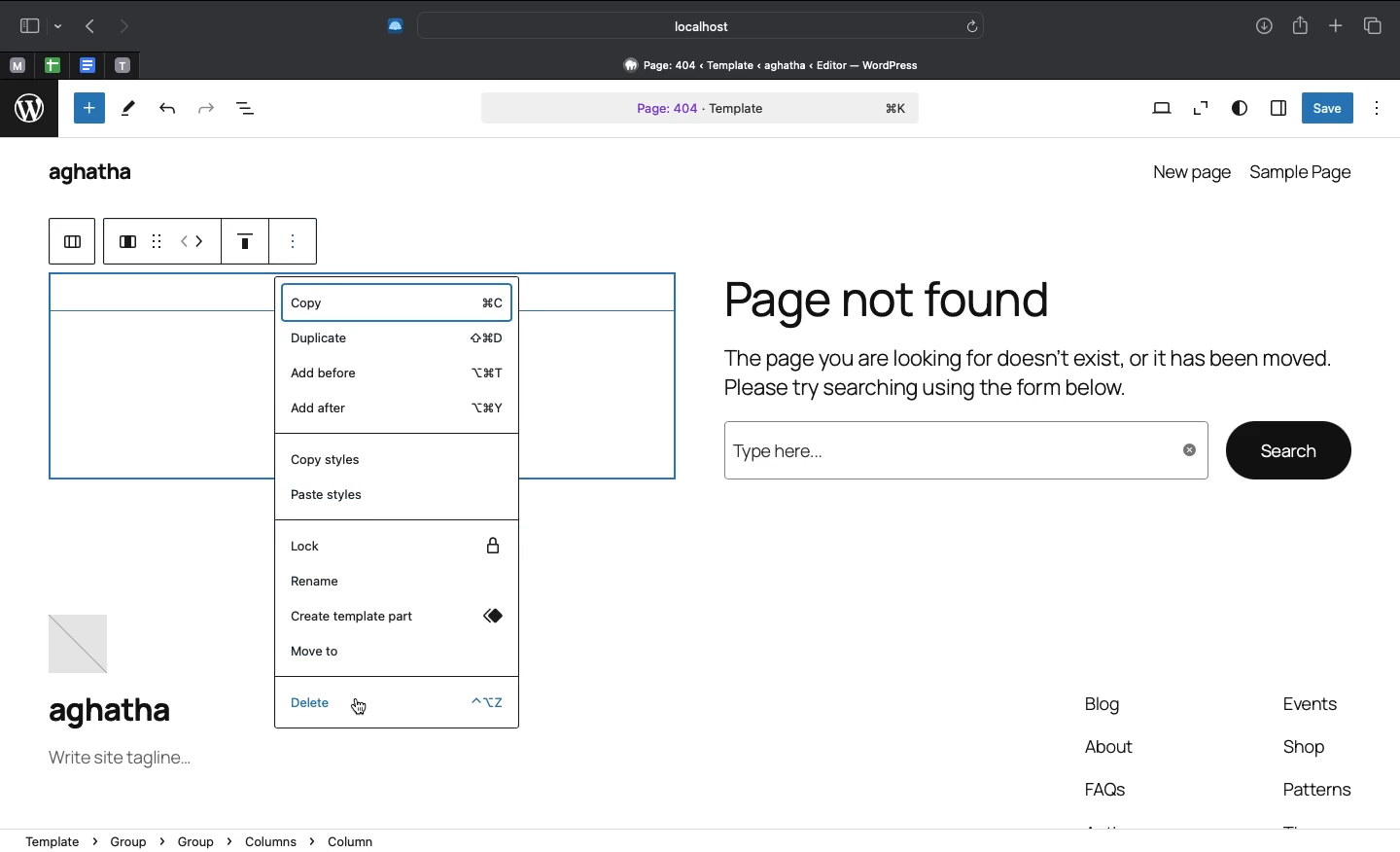  I want to click on Address, so click(700, 841).